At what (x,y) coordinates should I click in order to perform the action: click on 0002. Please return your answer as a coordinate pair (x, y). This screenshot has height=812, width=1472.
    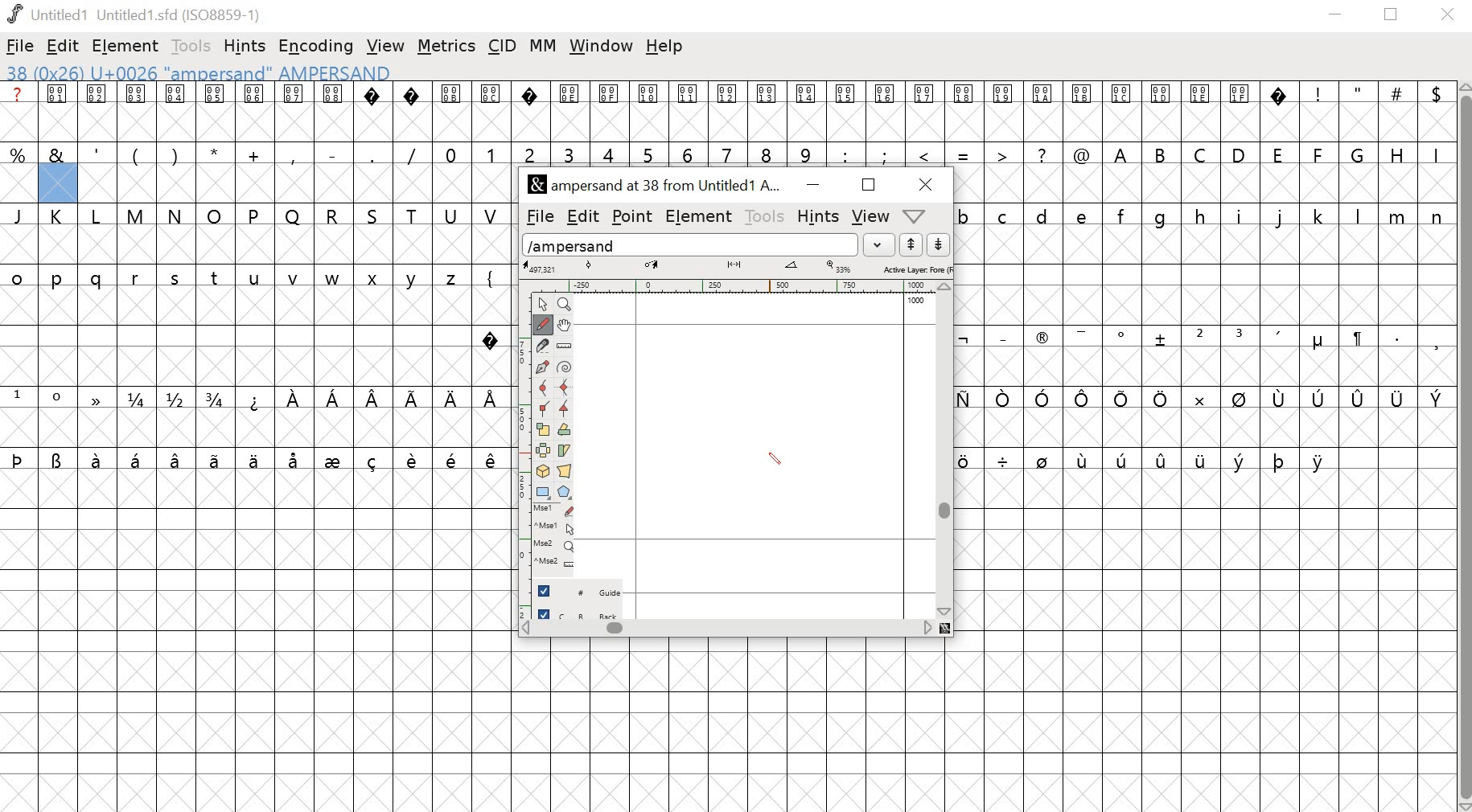
    Looking at the image, I should click on (98, 110).